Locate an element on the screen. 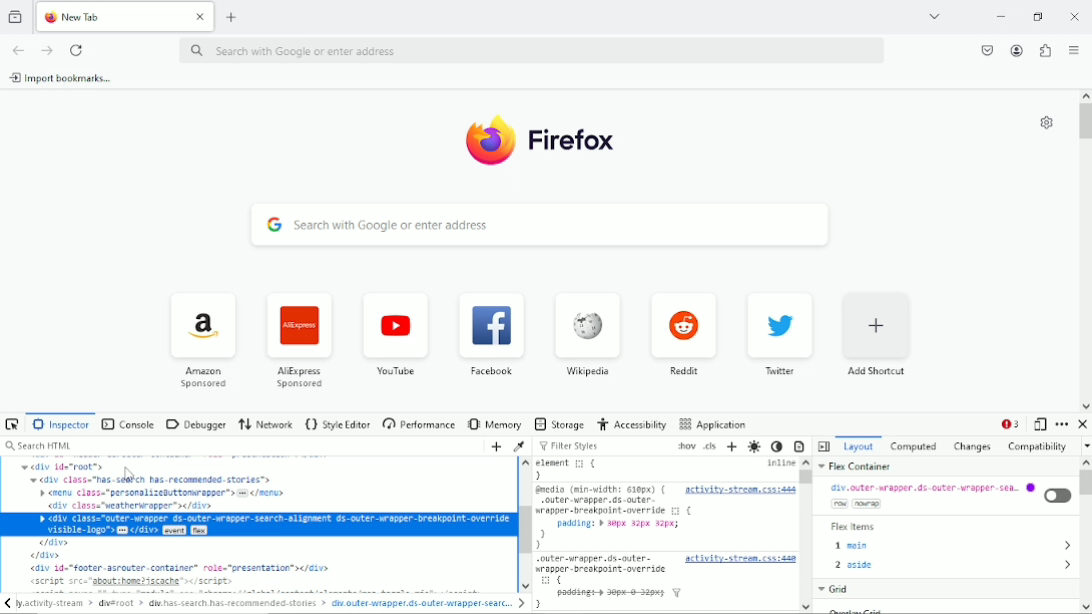  Previous is located at coordinates (7, 605).